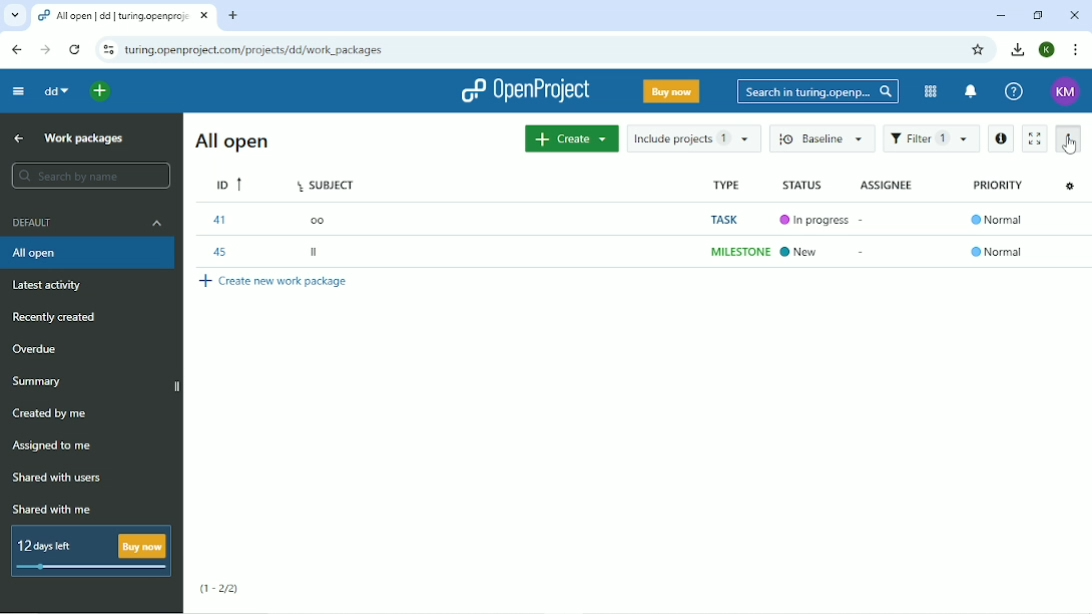 This screenshot has height=614, width=1092. Describe the element at coordinates (1047, 50) in the screenshot. I see `K` at that location.